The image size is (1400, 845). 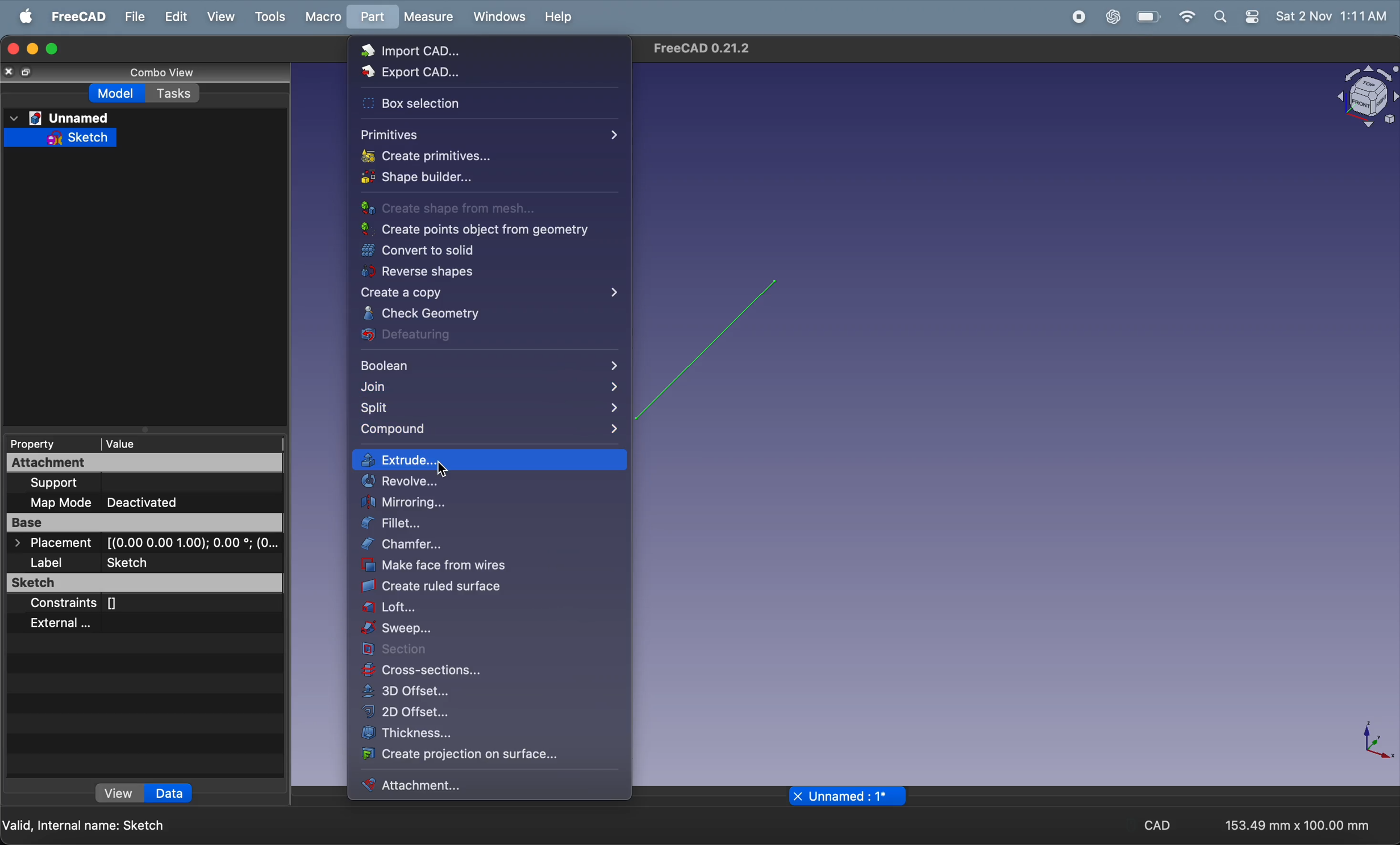 I want to click on help, so click(x=560, y=17).